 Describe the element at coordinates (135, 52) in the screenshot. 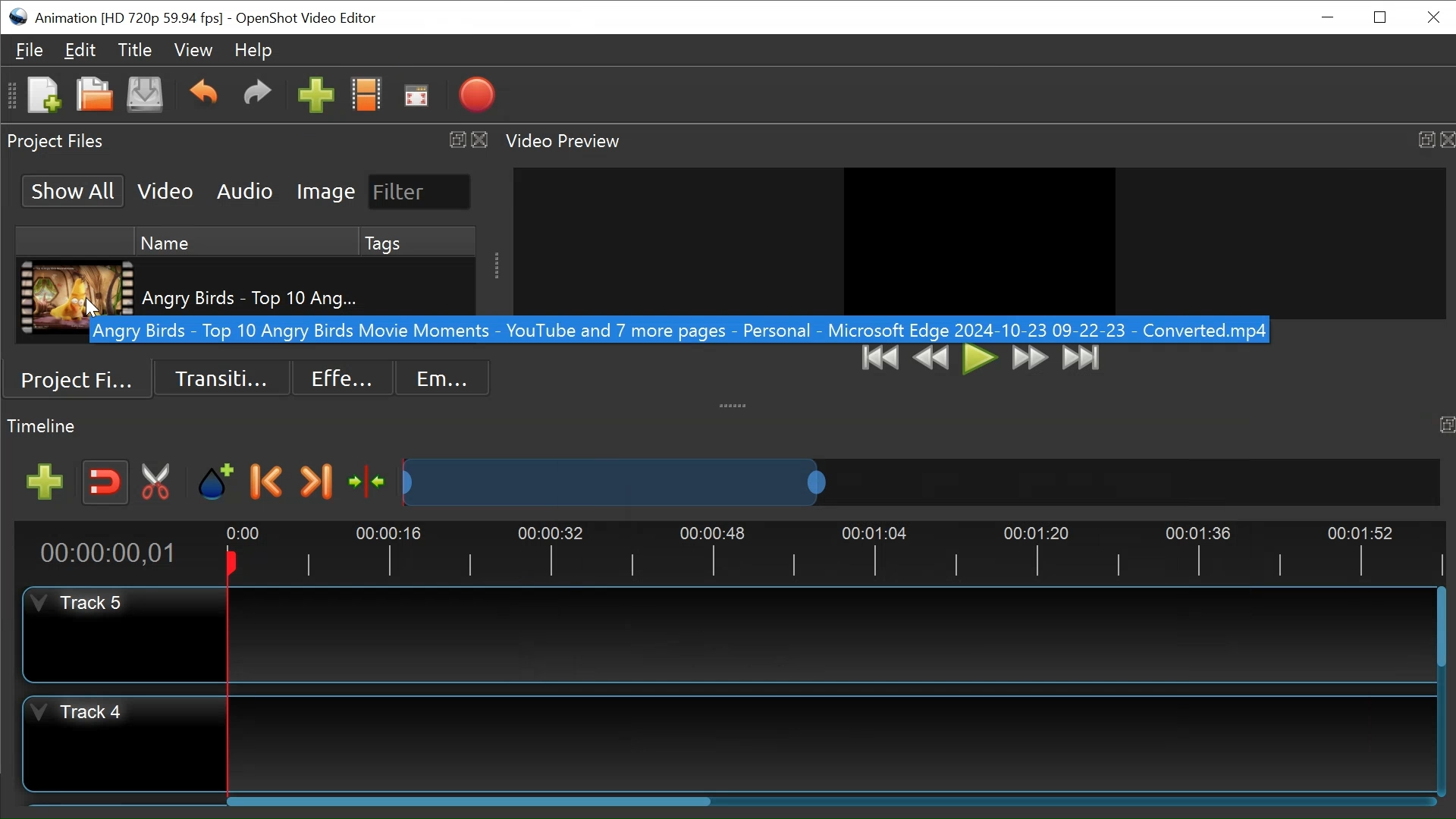

I see `Title` at that location.